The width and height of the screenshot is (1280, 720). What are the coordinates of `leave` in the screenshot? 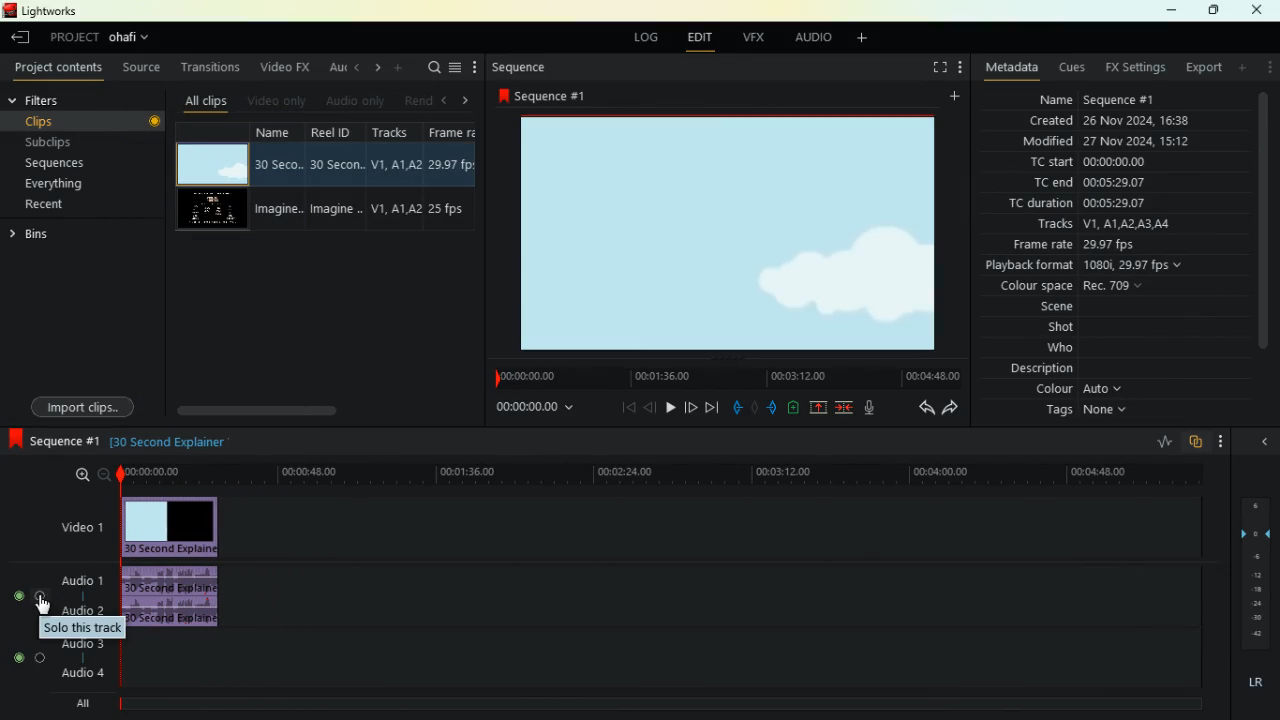 It's located at (21, 36).